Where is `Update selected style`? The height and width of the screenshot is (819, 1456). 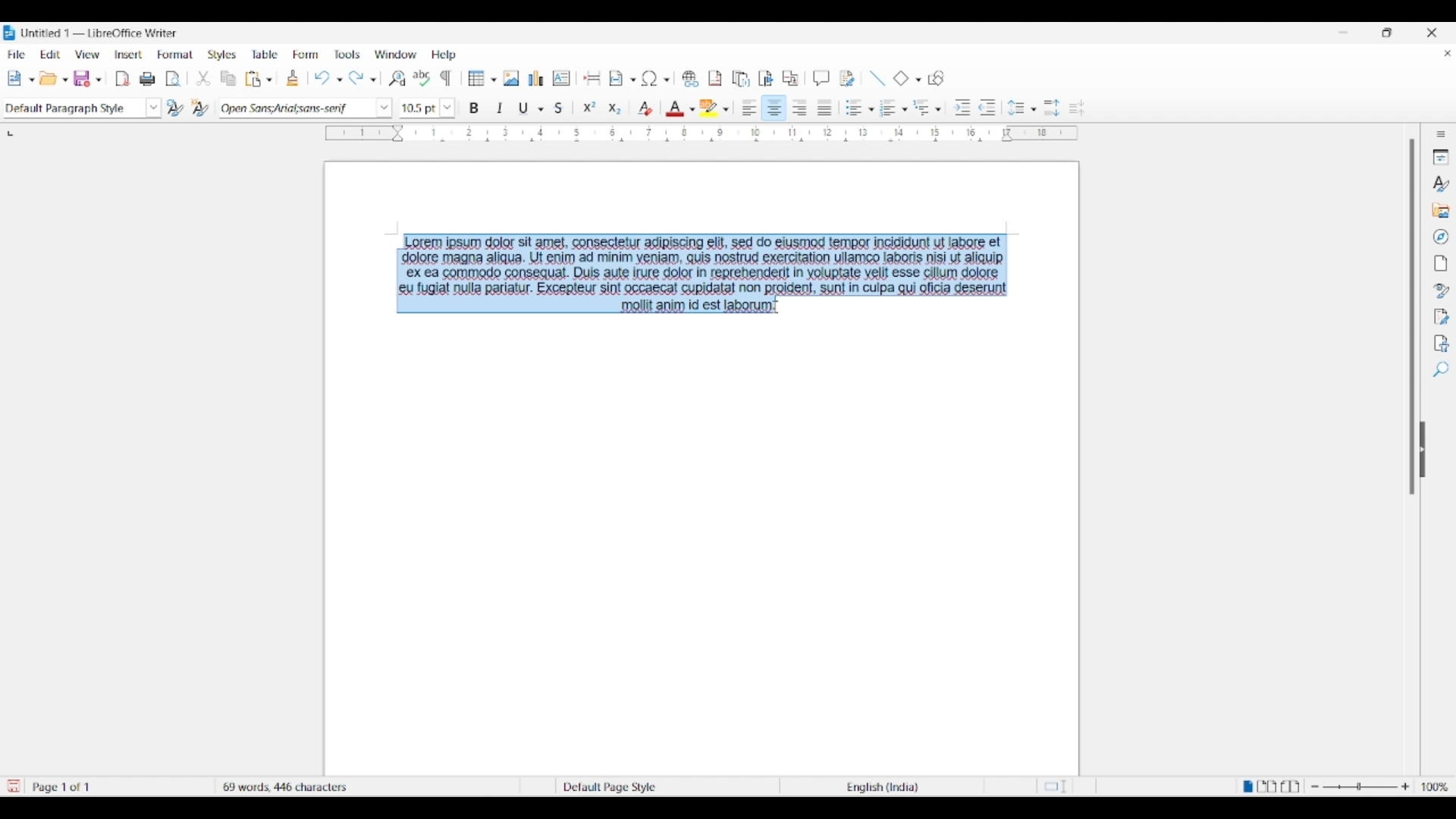
Update selected style is located at coordinates (176, 108).